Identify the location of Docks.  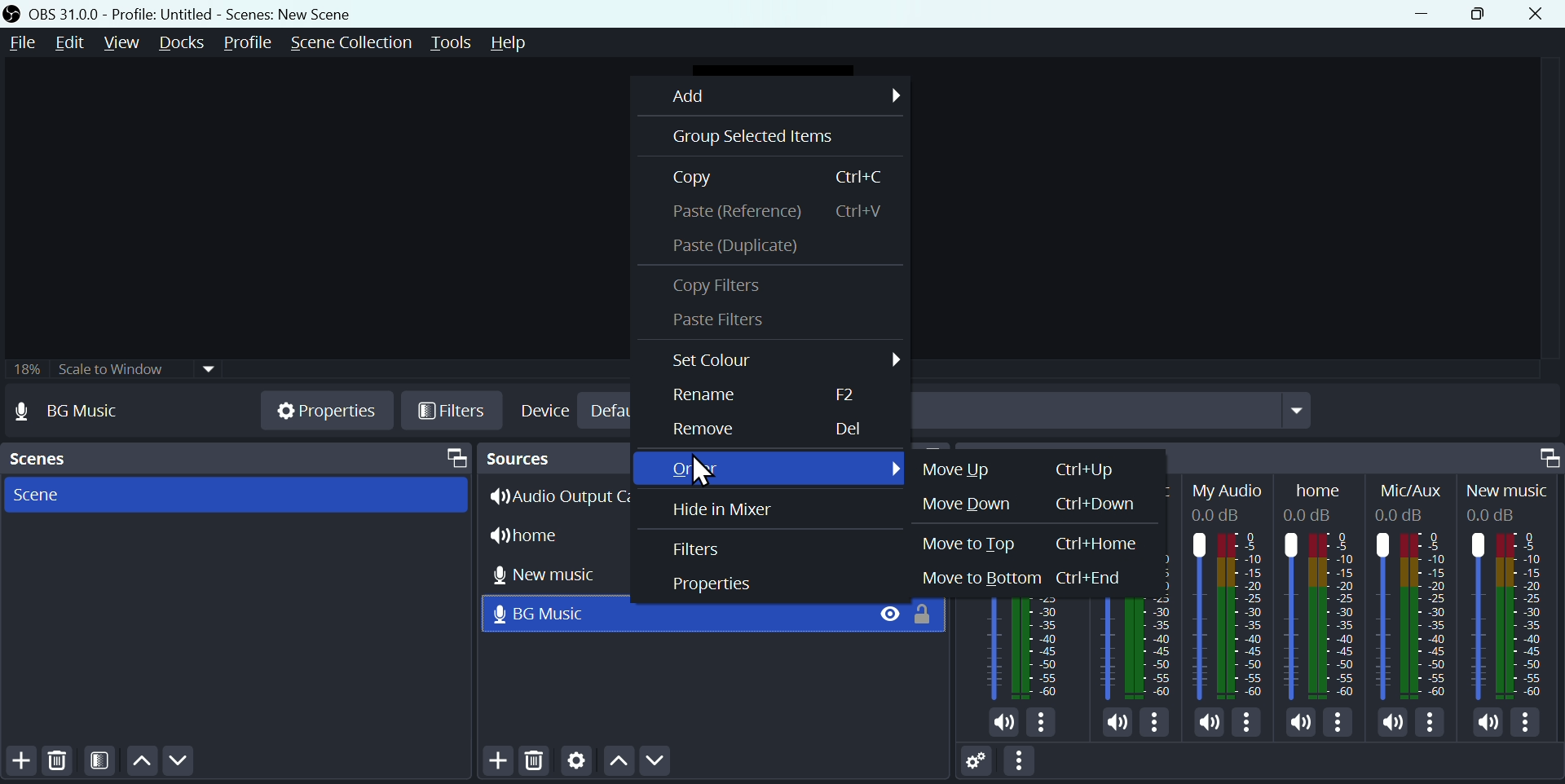
(179, 43).